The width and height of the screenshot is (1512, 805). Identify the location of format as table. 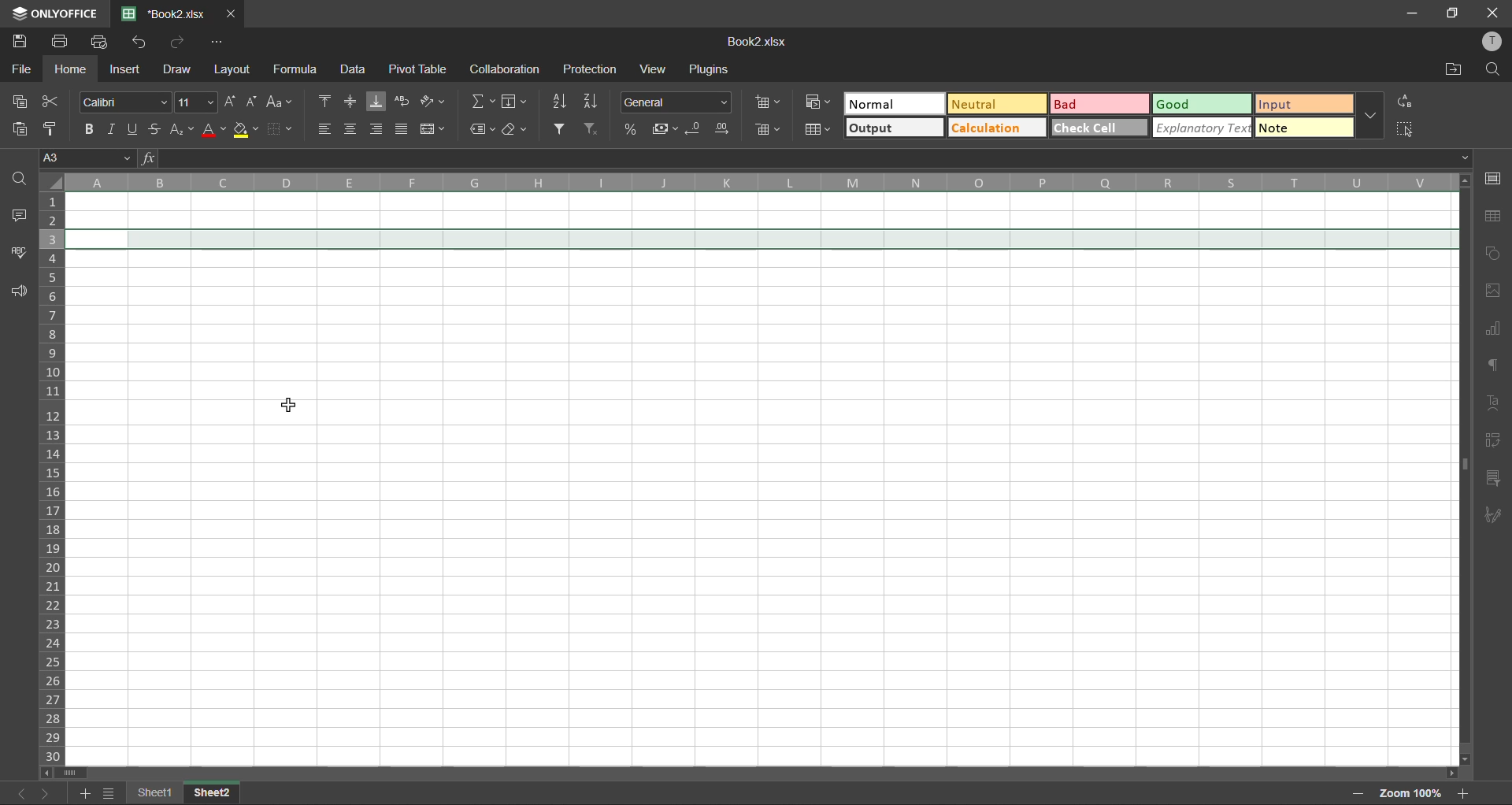
(815, 132).